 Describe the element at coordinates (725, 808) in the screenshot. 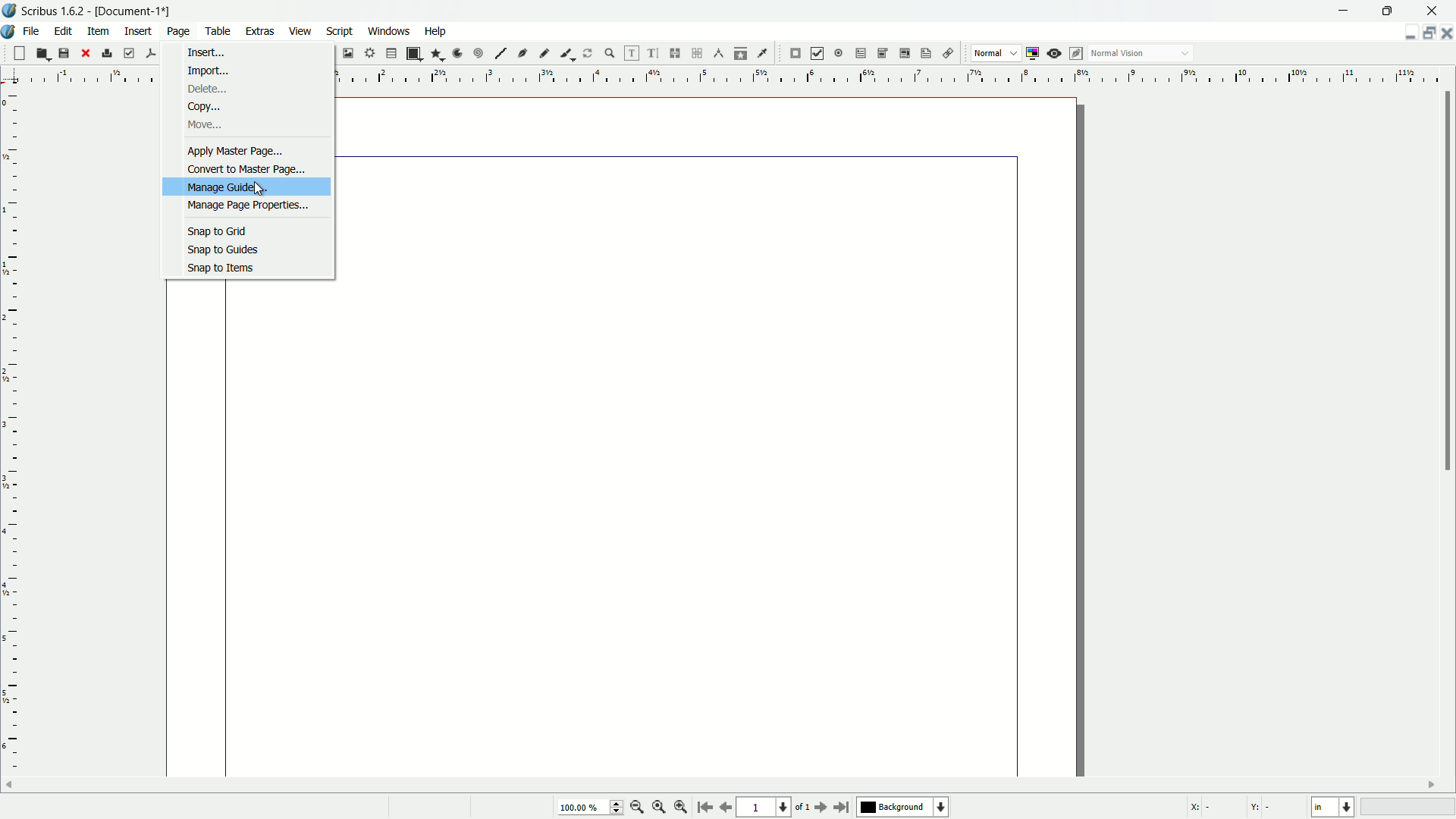

I see `previous page` at that location.